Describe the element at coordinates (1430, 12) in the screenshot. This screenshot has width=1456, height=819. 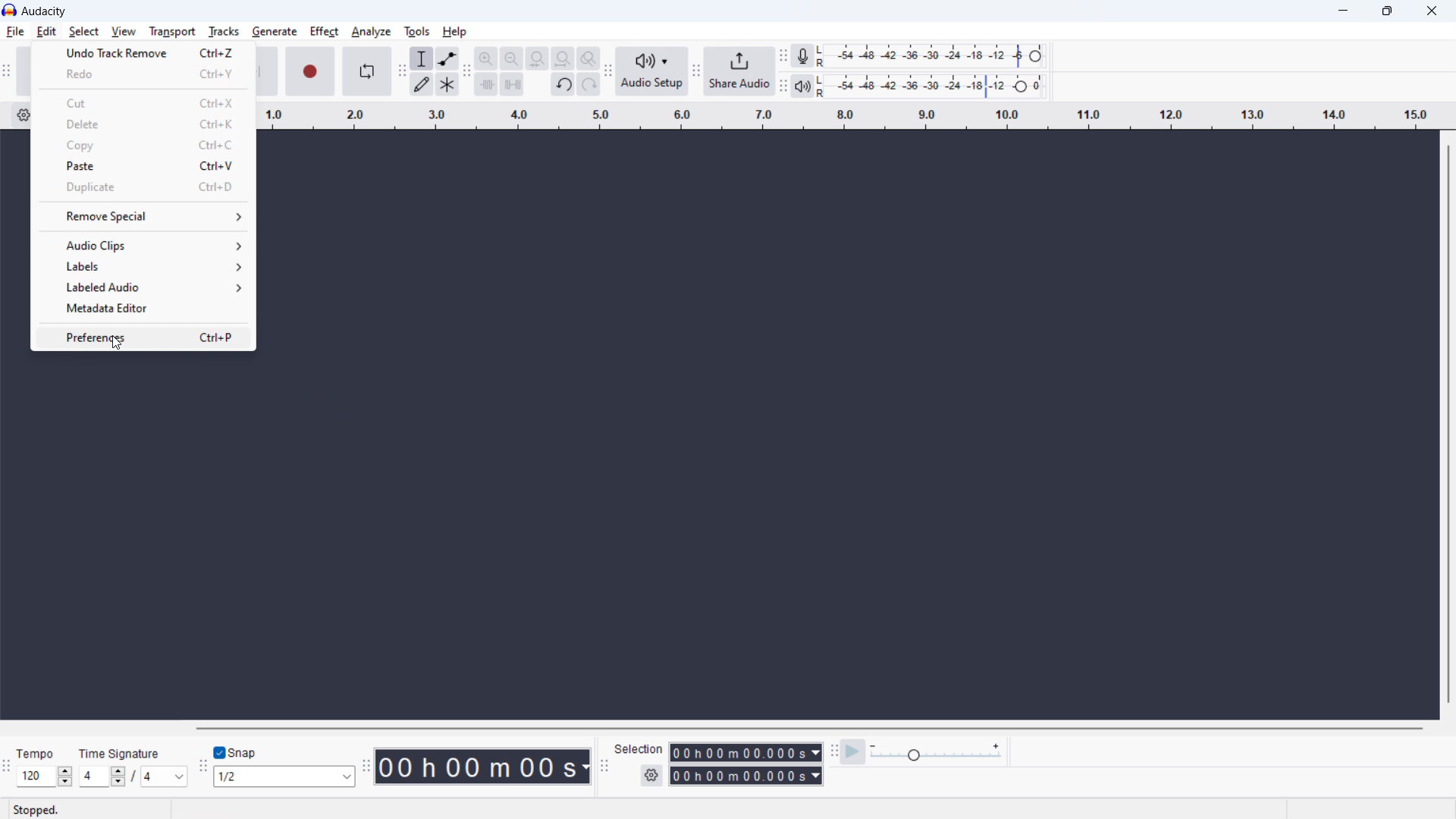
I see `close` at that location.